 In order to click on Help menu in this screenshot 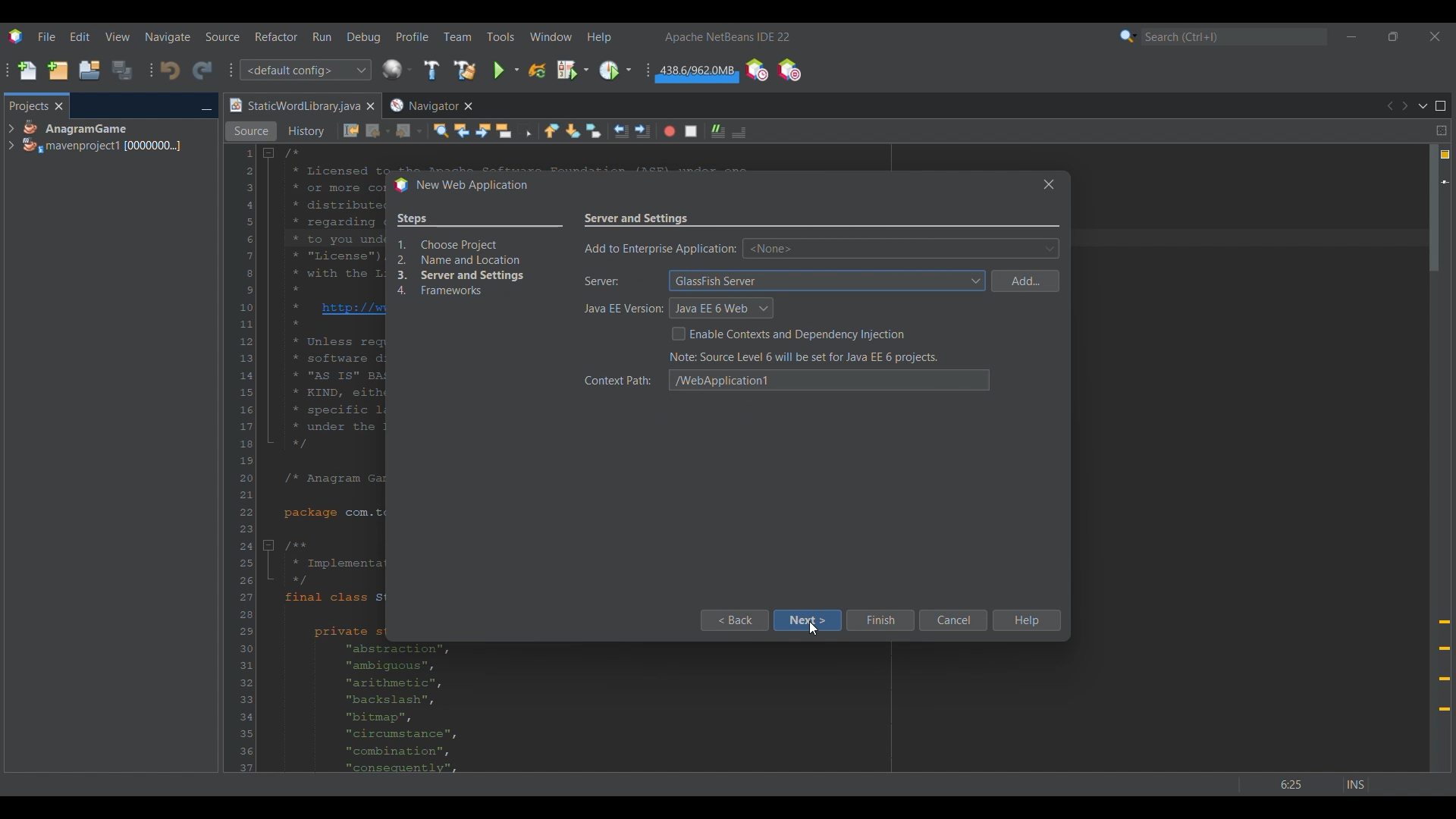, I will do `click(599, 37)`.